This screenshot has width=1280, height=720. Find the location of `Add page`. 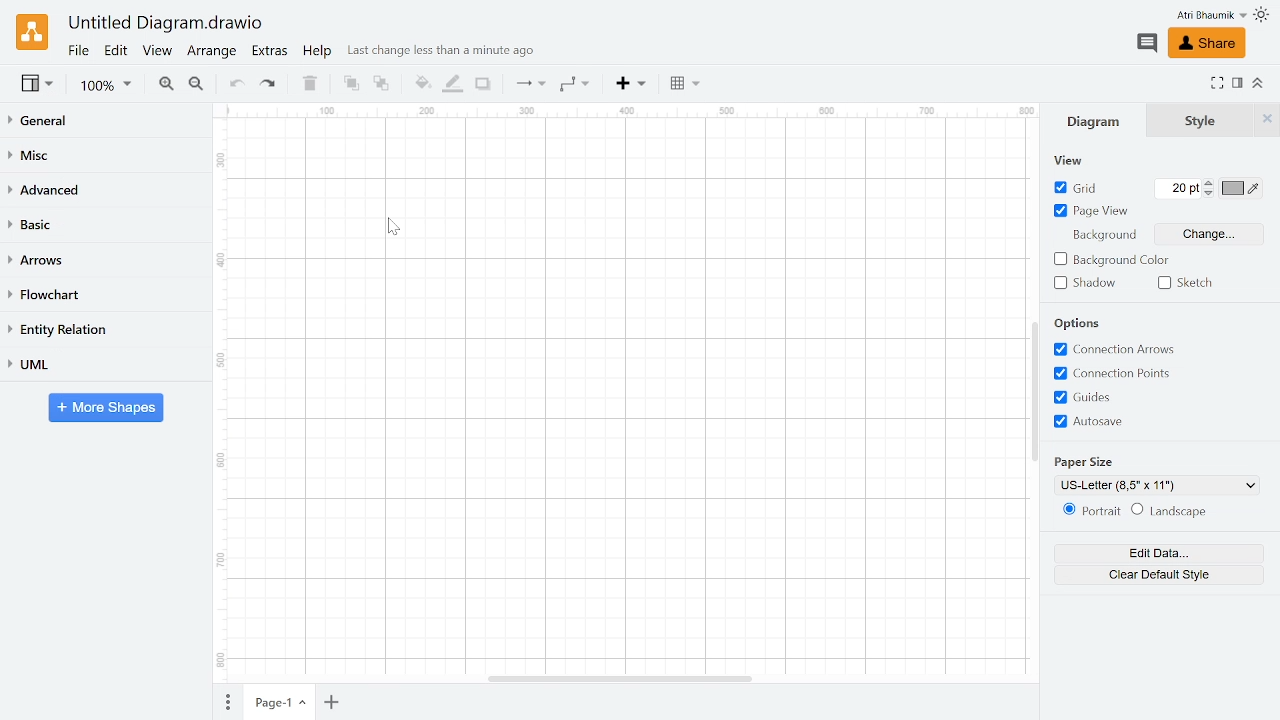

Add page is located at coordinates (335, 701).